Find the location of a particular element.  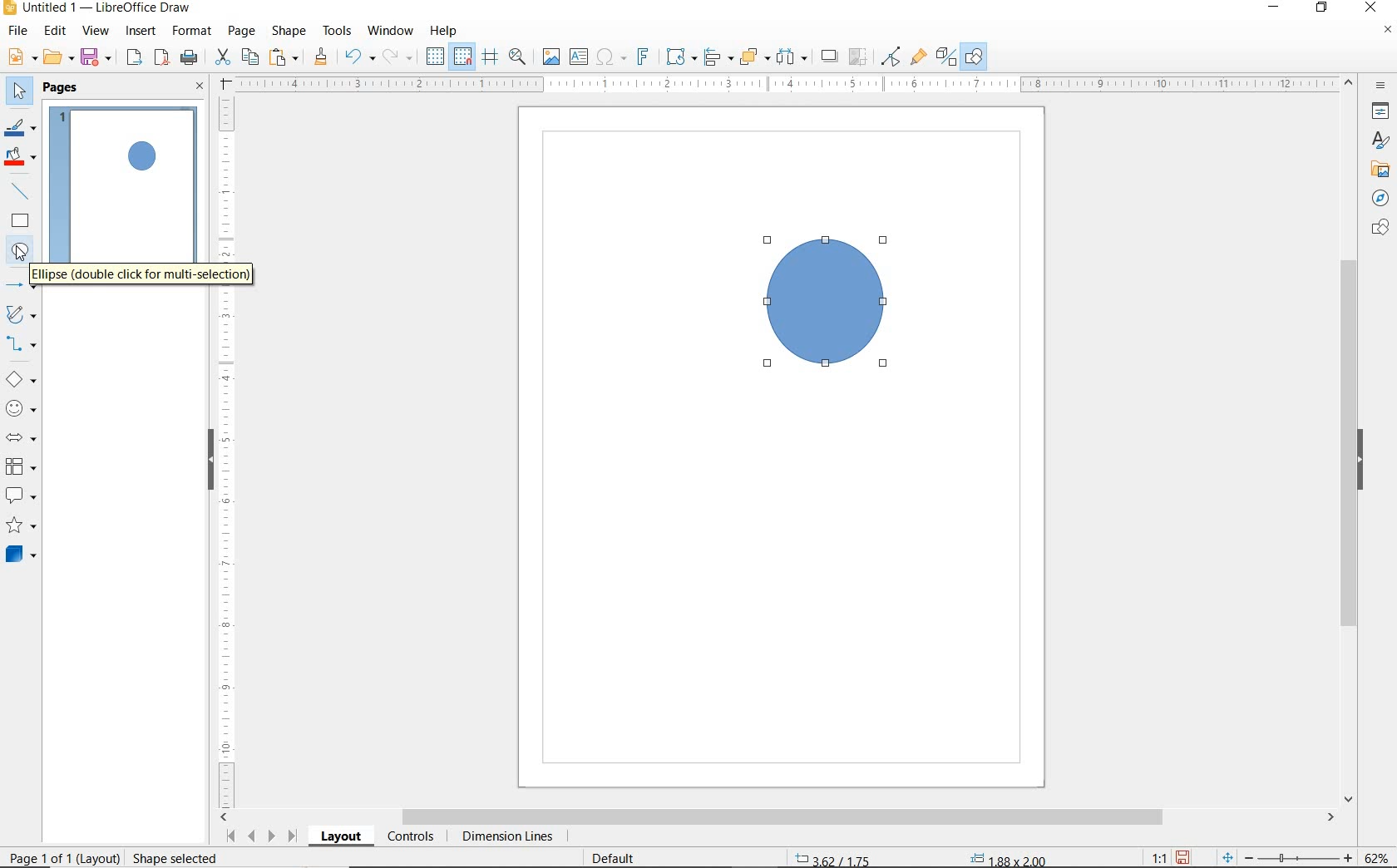

INSERT FONTWORK TEXT is located at coordinates (641, 57).